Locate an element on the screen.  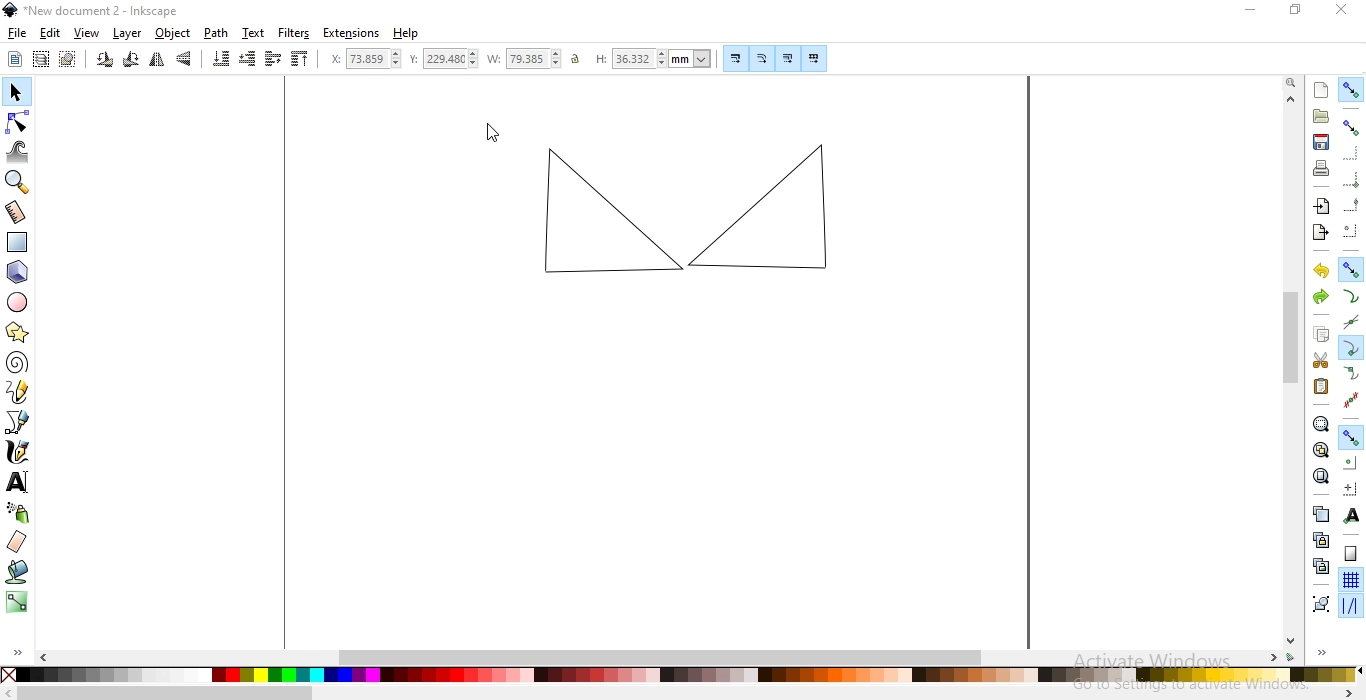
move patterns along with objects is located at coordinates (814, 56).